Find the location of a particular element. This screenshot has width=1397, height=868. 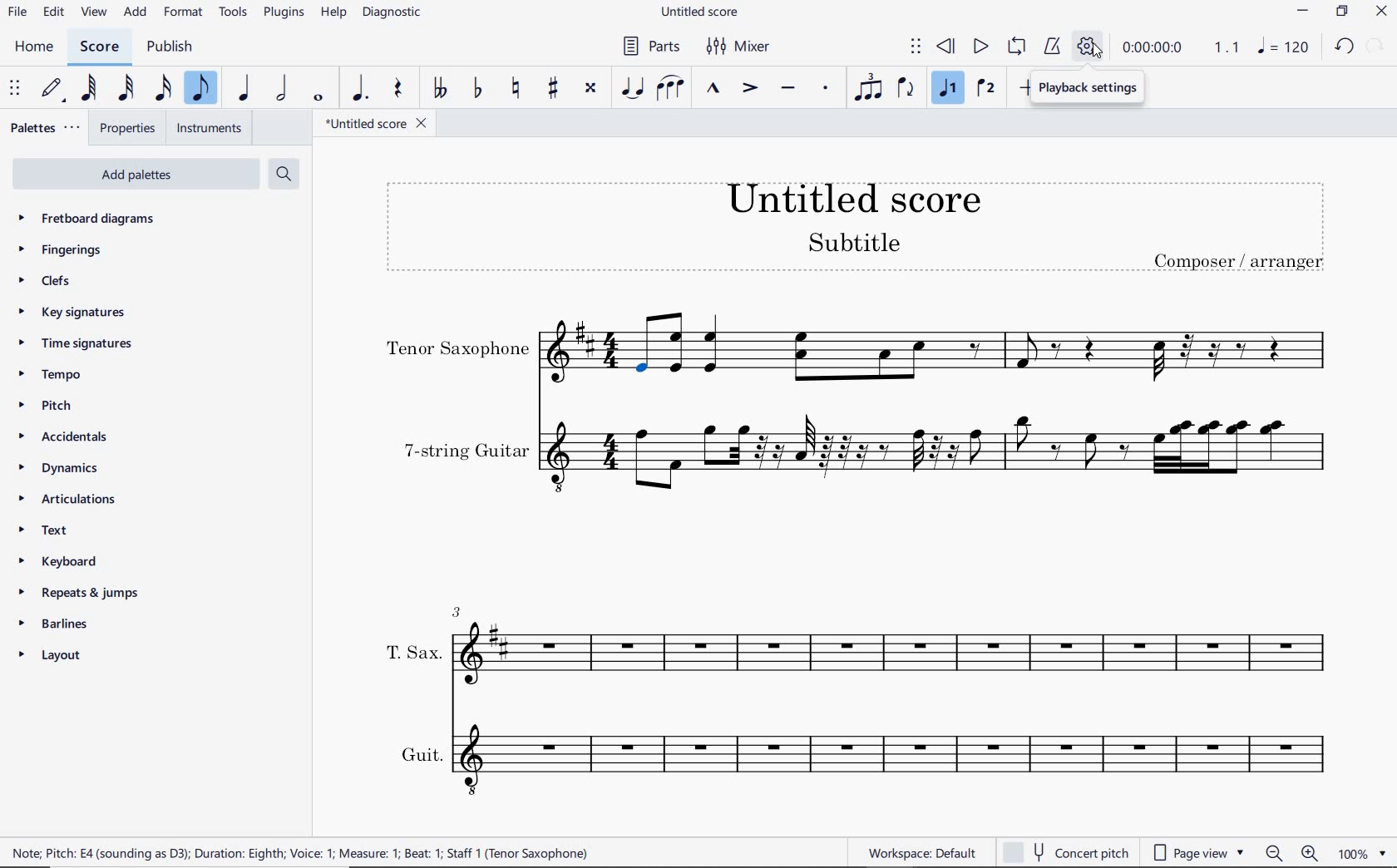

SEARCH PALETTES is located at coordinates (284, 173).